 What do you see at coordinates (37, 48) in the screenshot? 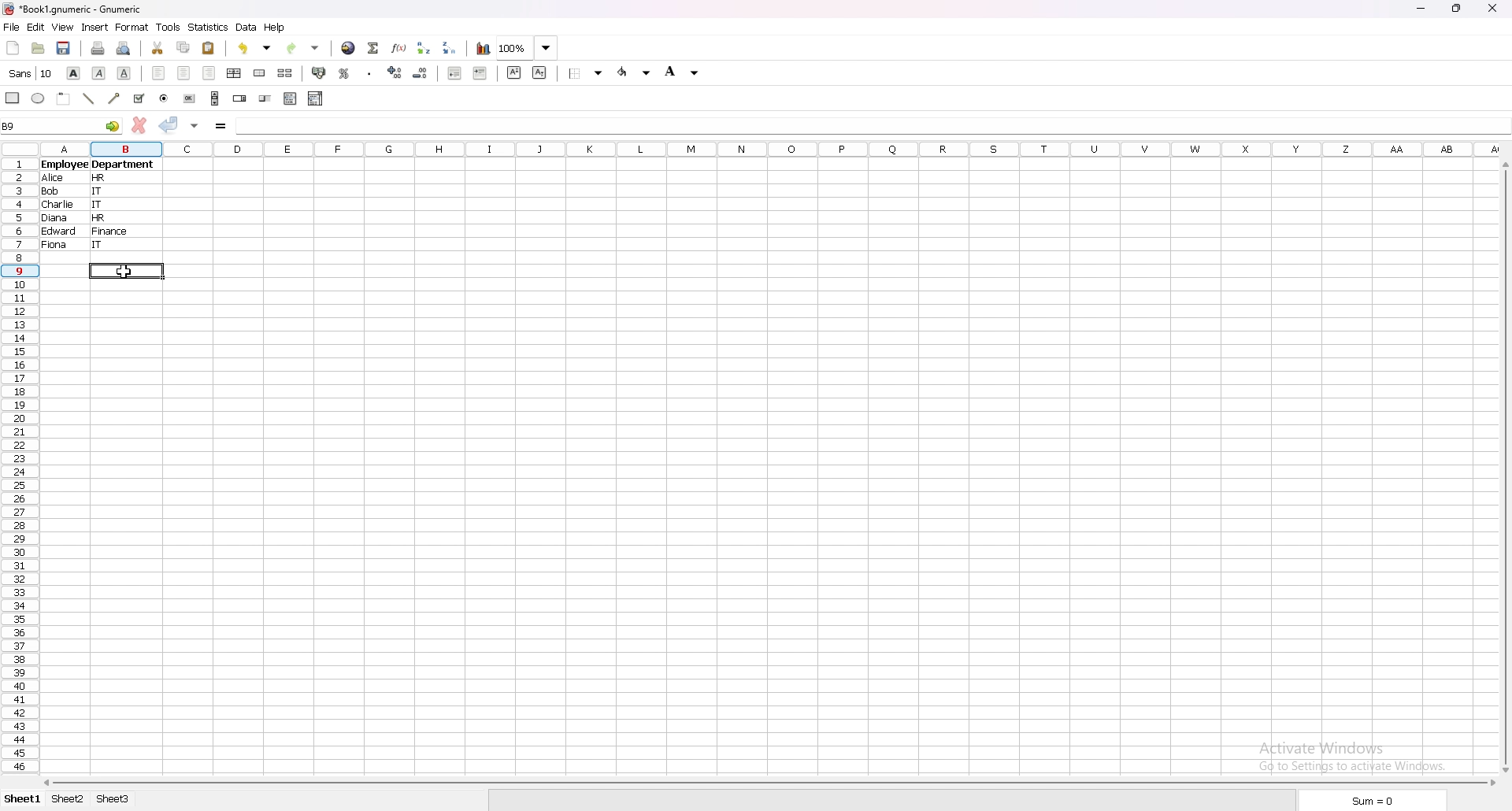
I see `open` at bounding box center [37, 48].